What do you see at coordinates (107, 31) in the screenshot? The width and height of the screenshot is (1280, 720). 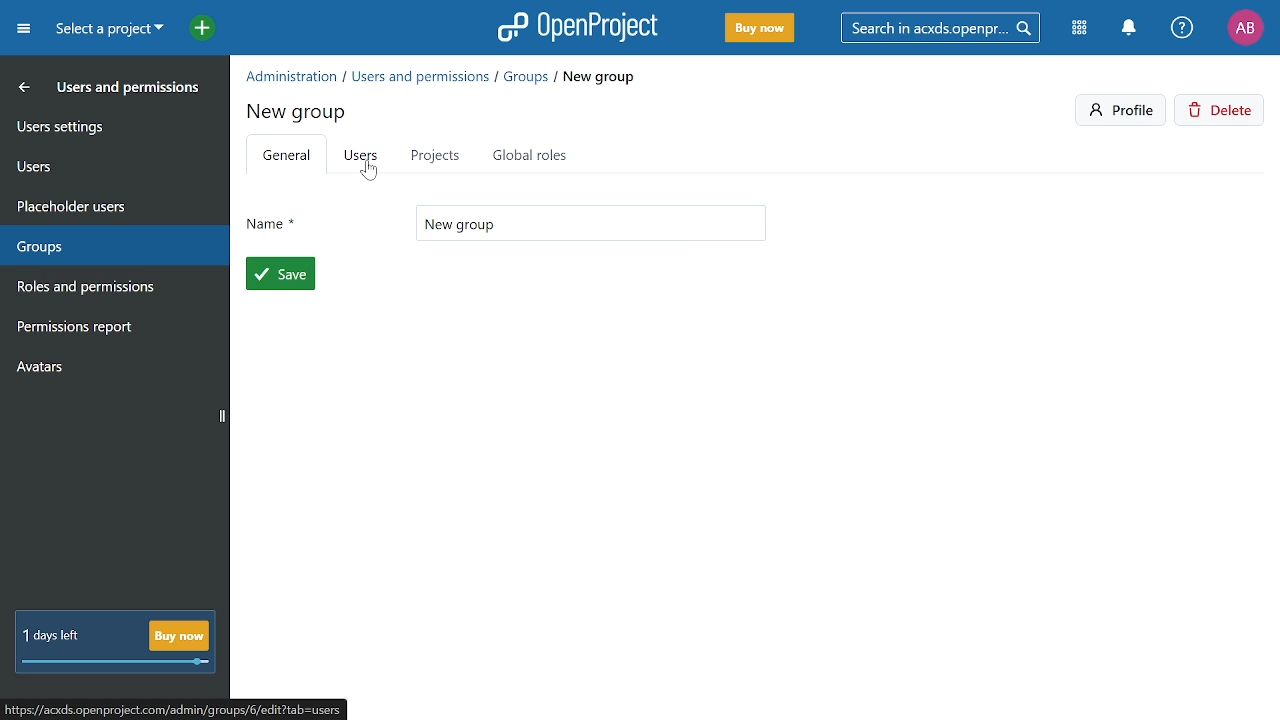 I see `Current project` at bounding box center [107, 31].